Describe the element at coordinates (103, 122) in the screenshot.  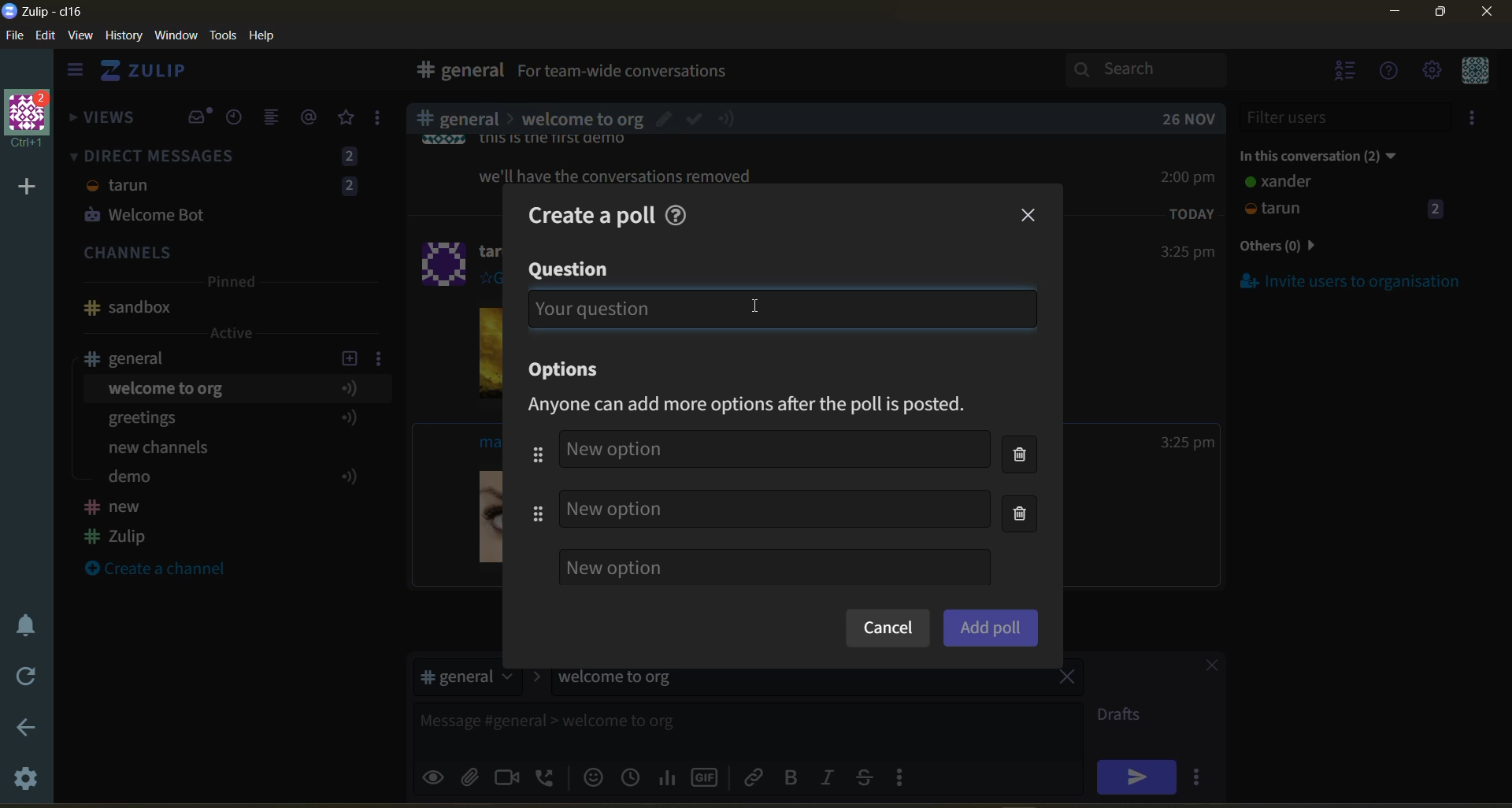
I see `views` at that location.